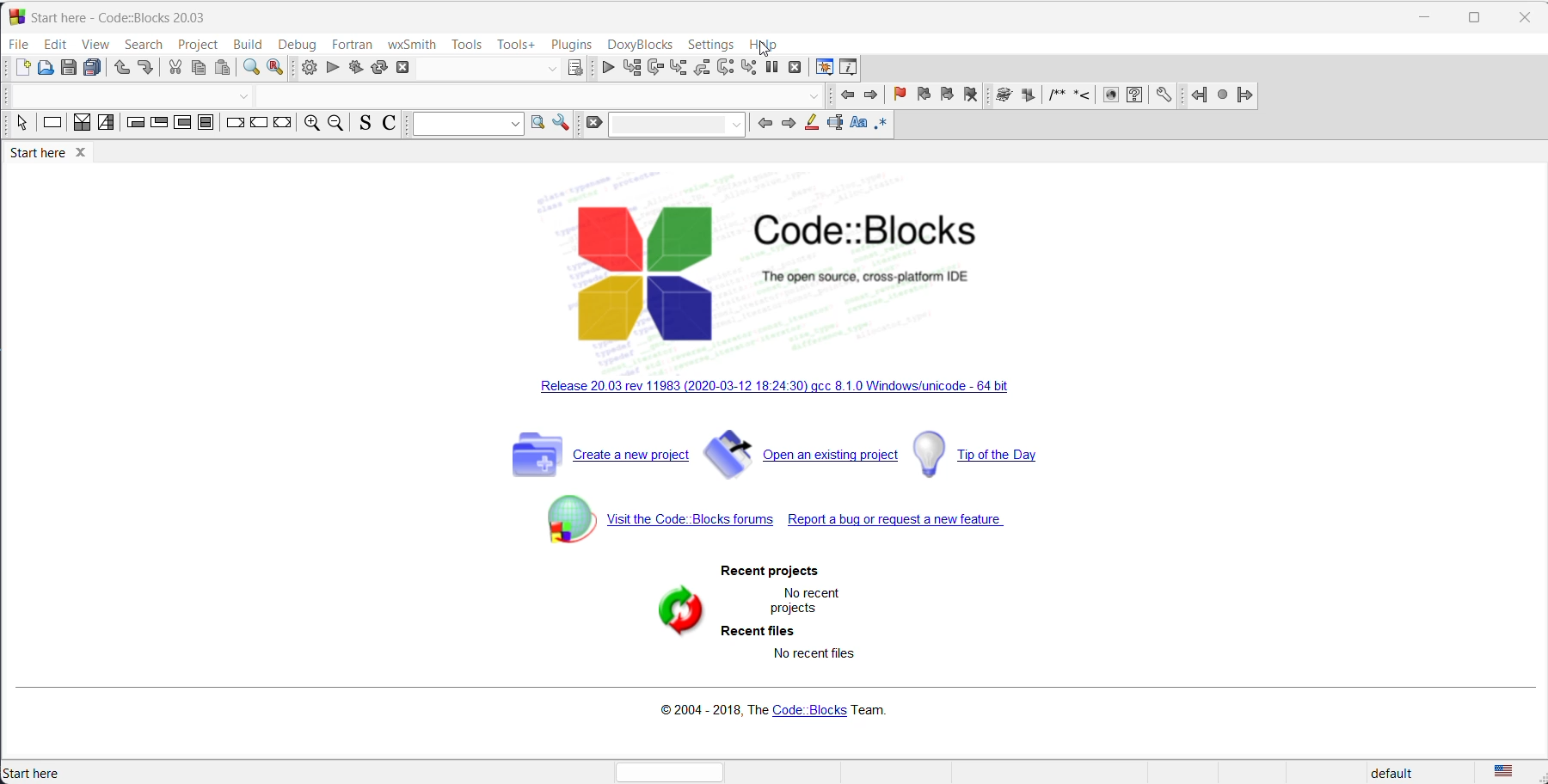 The width and height of the screenshot is (1548, 784). I want to click on maximize, so click(1473, 20).